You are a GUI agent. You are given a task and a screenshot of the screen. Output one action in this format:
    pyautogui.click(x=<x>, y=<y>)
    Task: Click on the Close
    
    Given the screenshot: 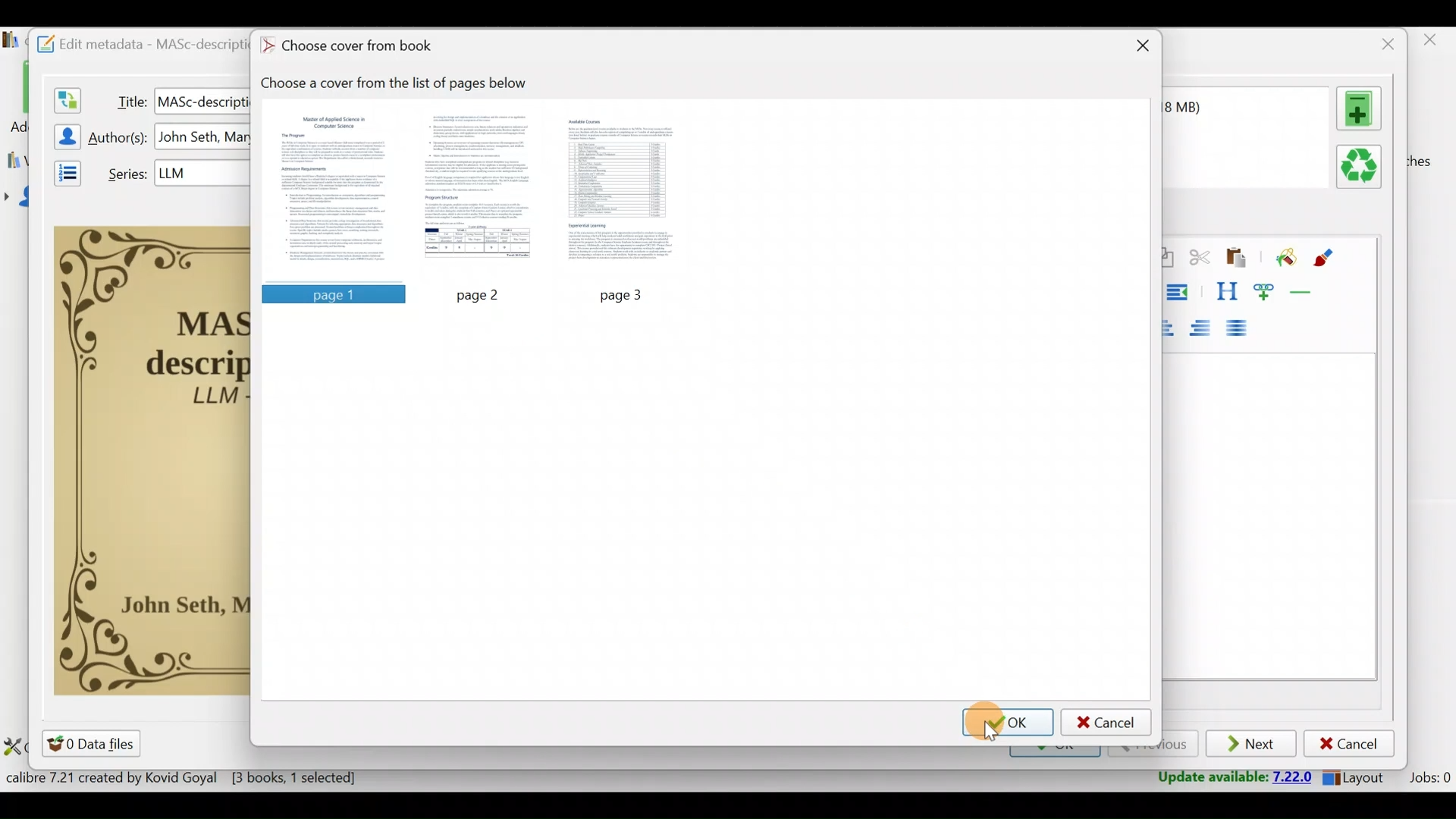 What is the action you would take?
    pyautogui.click(x=1140, y=48)
    